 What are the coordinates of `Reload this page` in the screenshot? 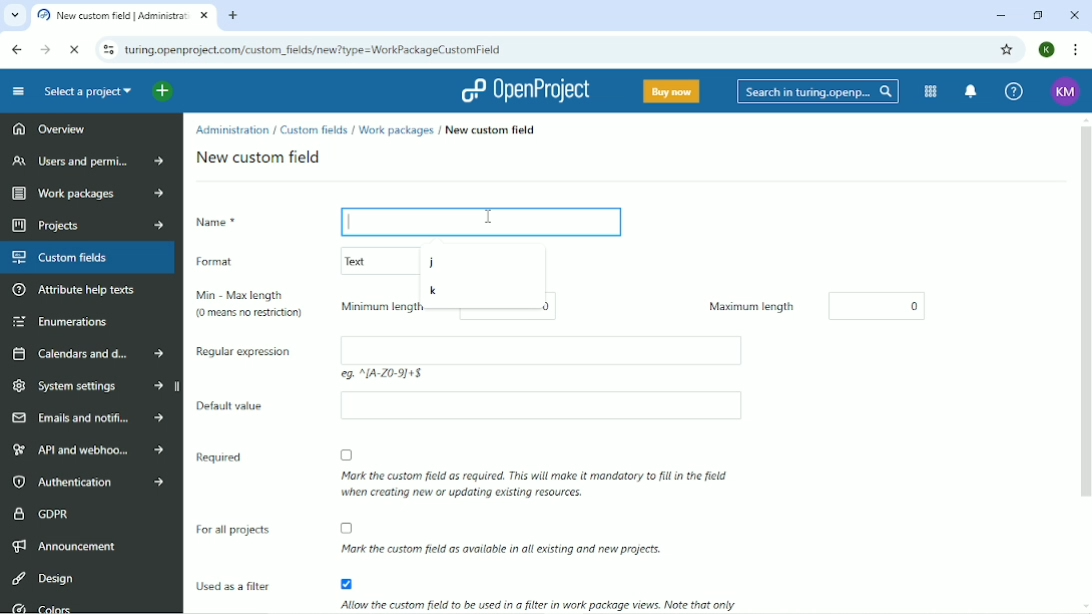 It's located at (76, 49).